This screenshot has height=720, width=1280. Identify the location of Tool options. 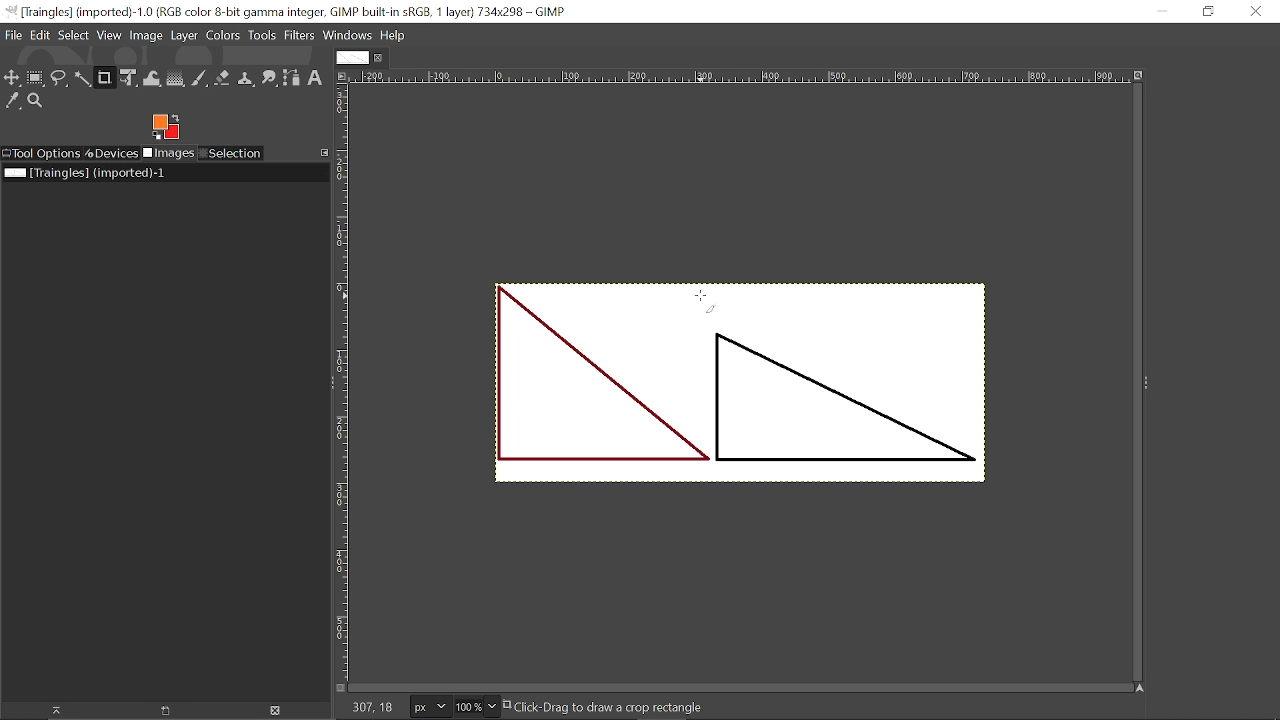
(41, 154).